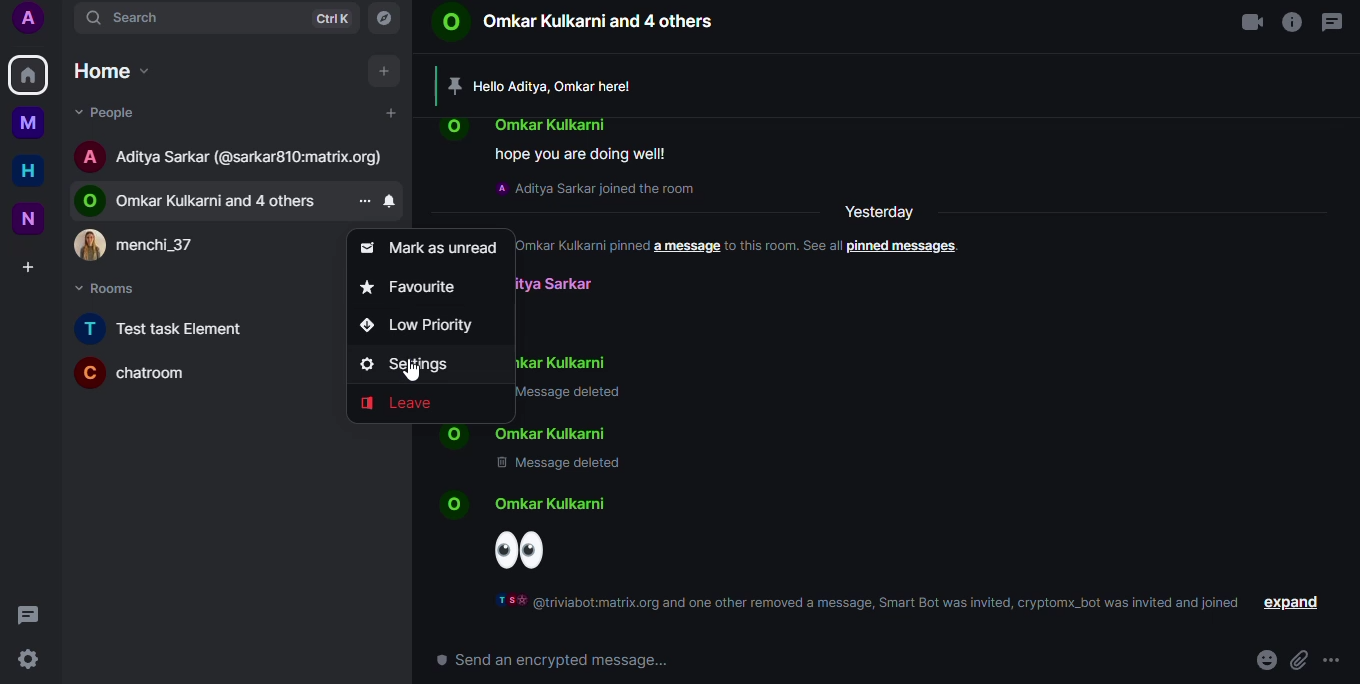  I want to click on pinned message, so click(545, 84).